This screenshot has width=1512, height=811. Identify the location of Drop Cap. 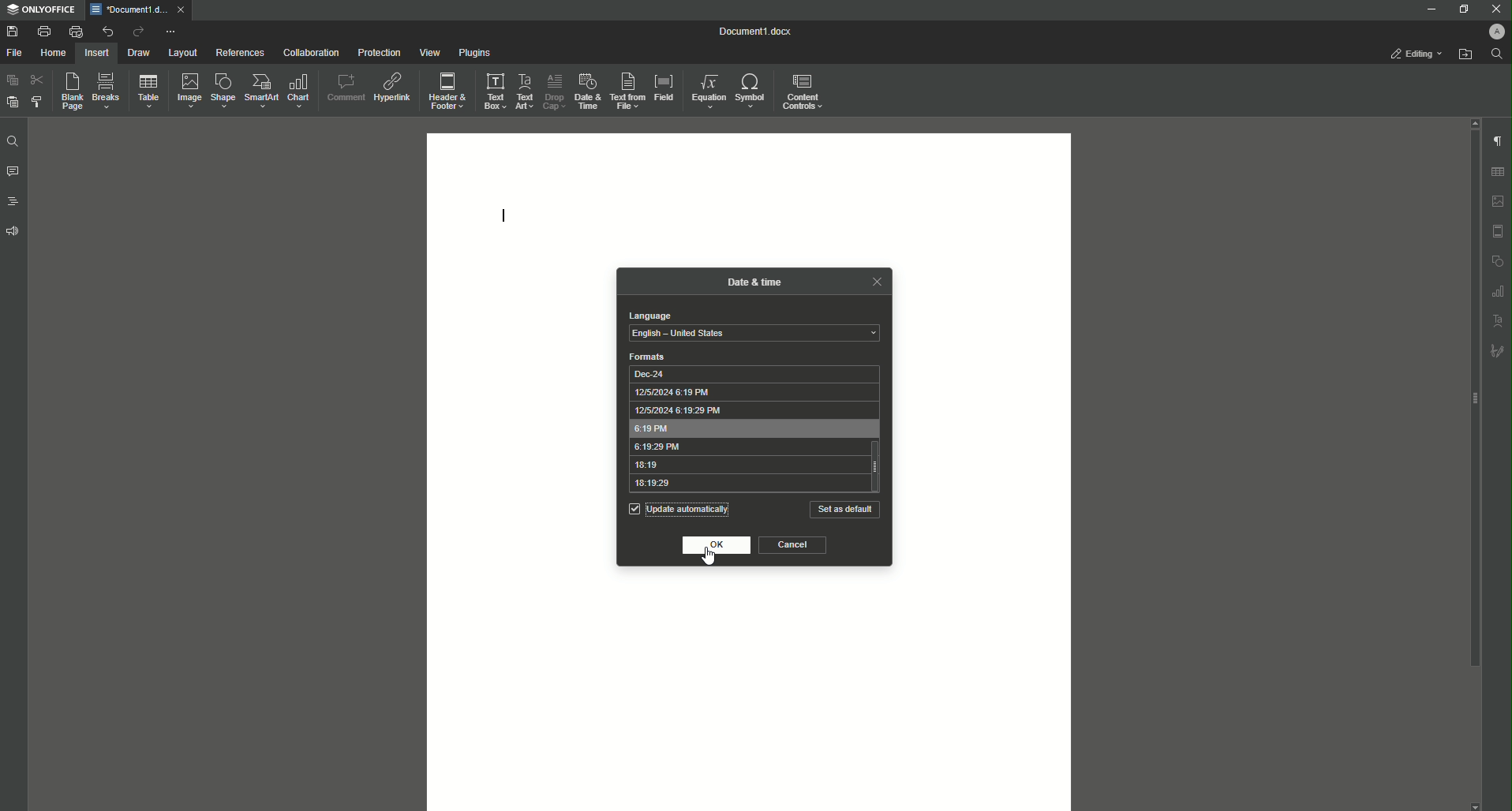
(553, 90).